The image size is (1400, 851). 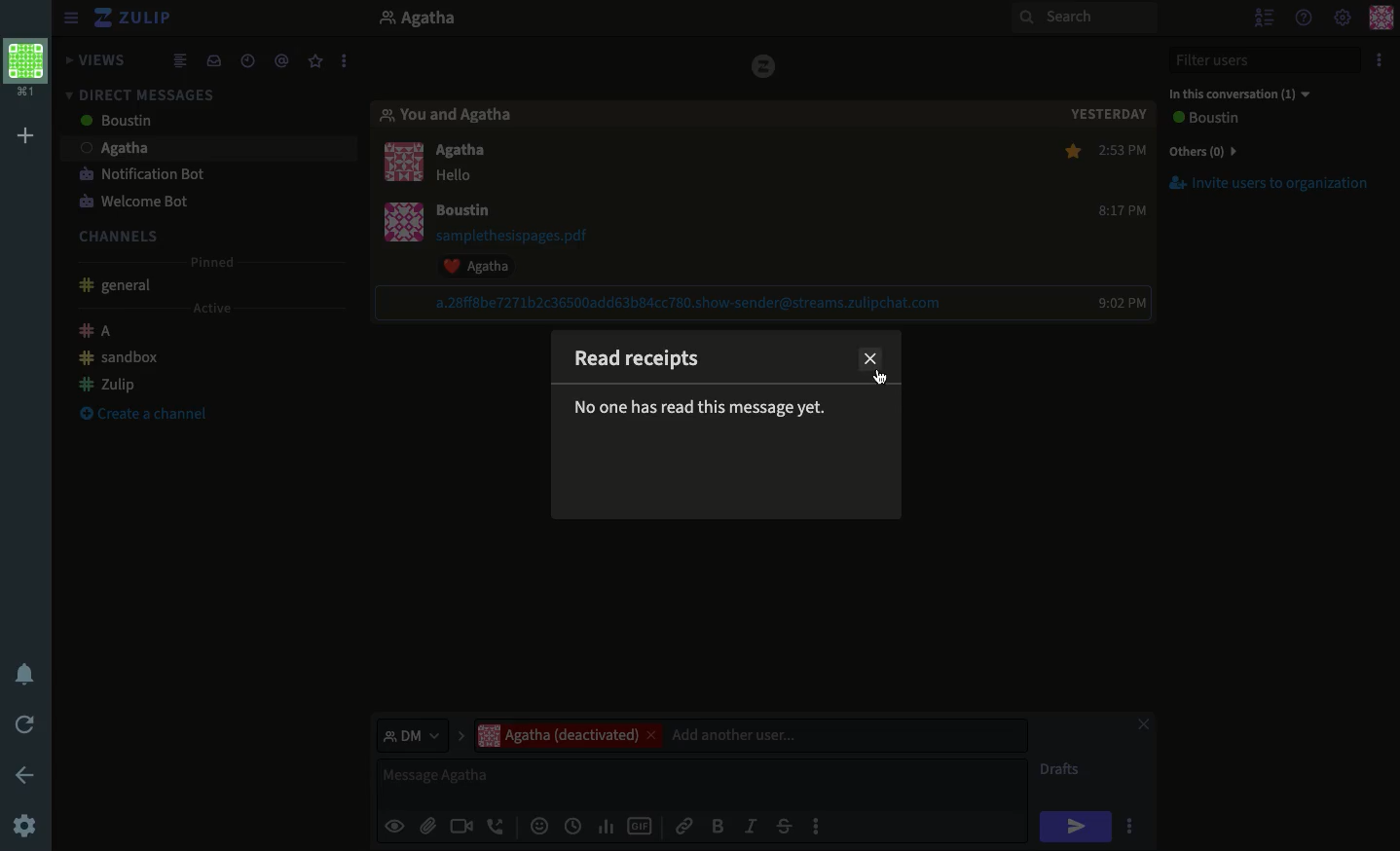 I want to click on user, so click(x=464, y=212).